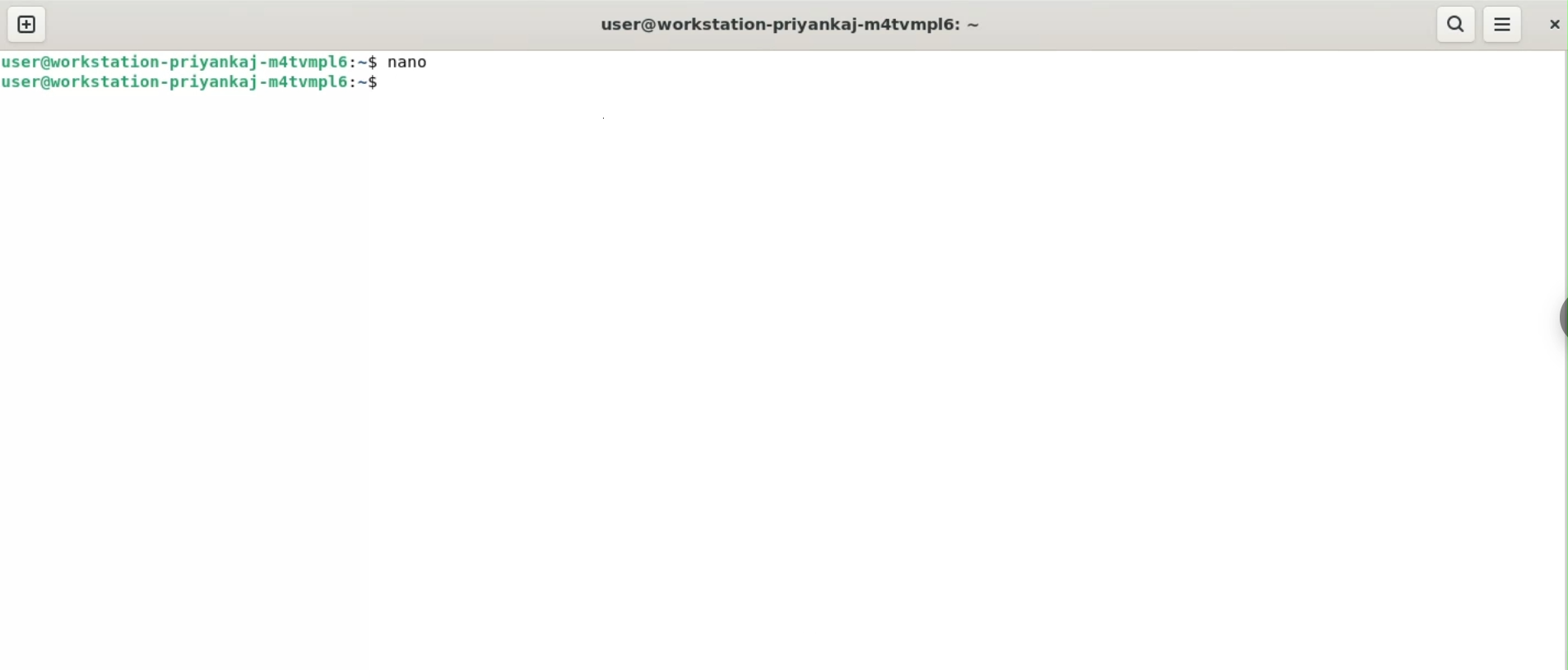  I want to click on user@workstation-privankaj-matvmpl6:~$, so click(191, 61).